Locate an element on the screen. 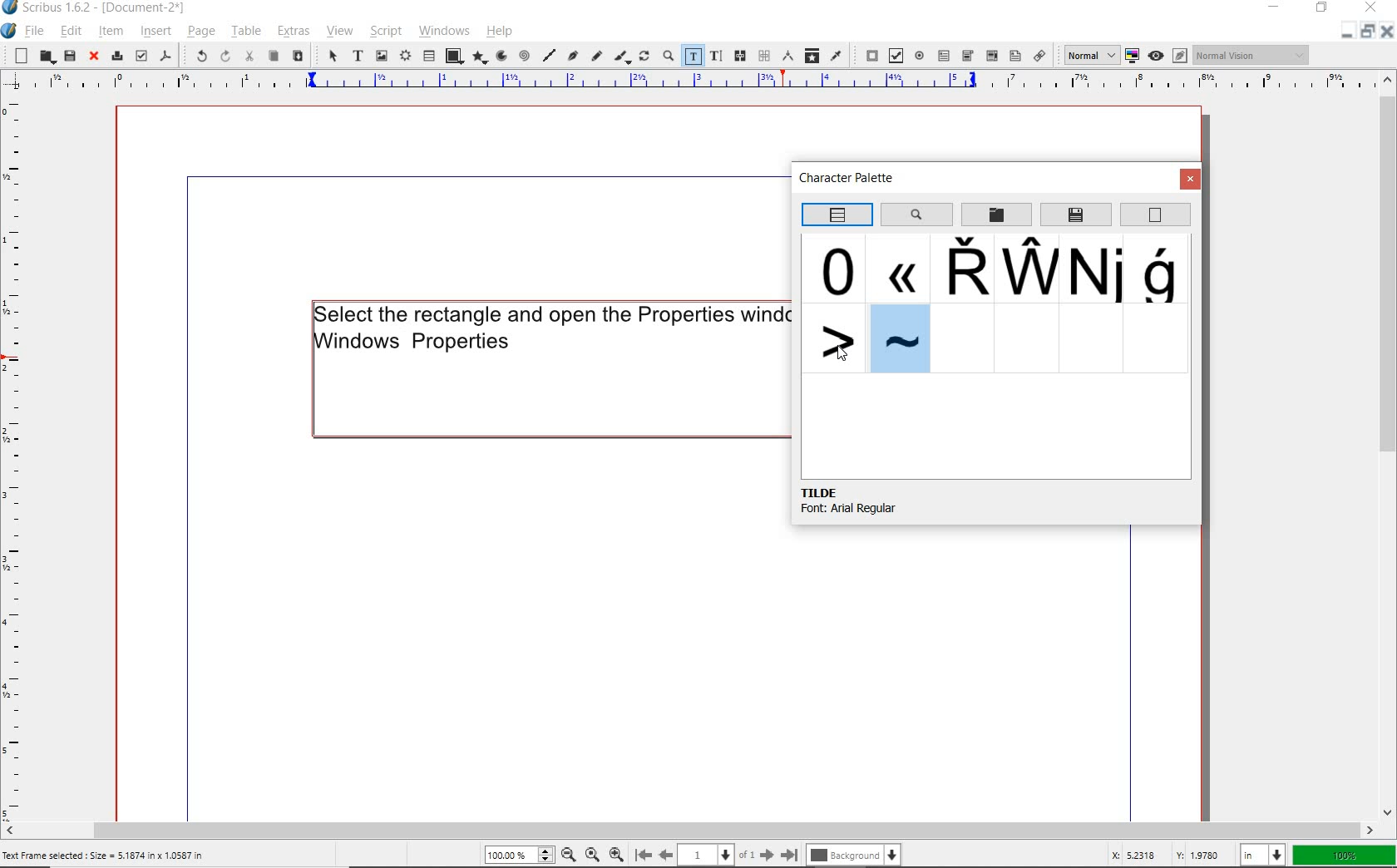 This screenshot has height=868, width=1397. image frame is located at coordinates (381, 57).